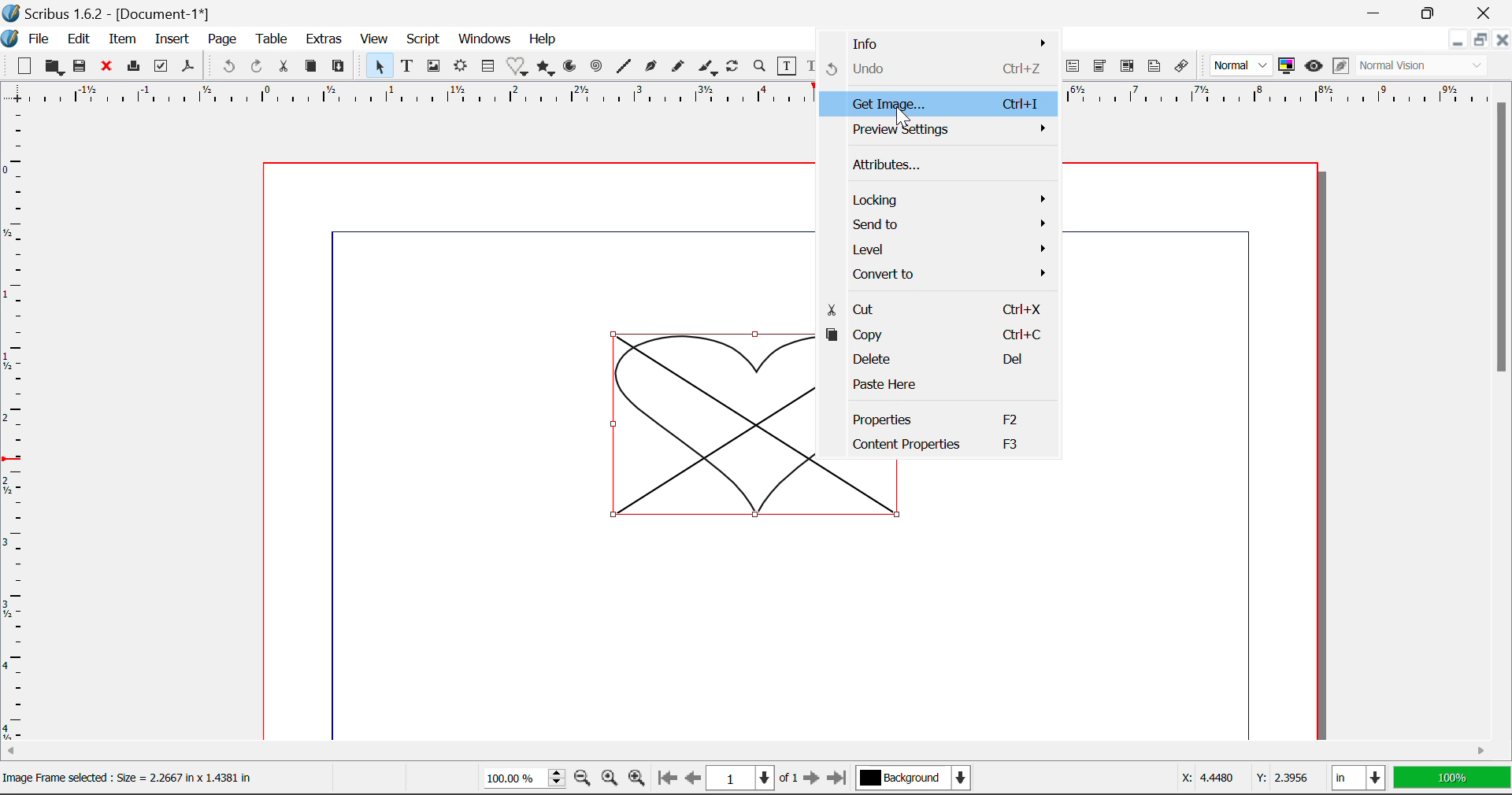 This screenshot has width=1512, height=795. Describe the element at coordinates (109, 68) in the screenshot. I see `Close` at that location.